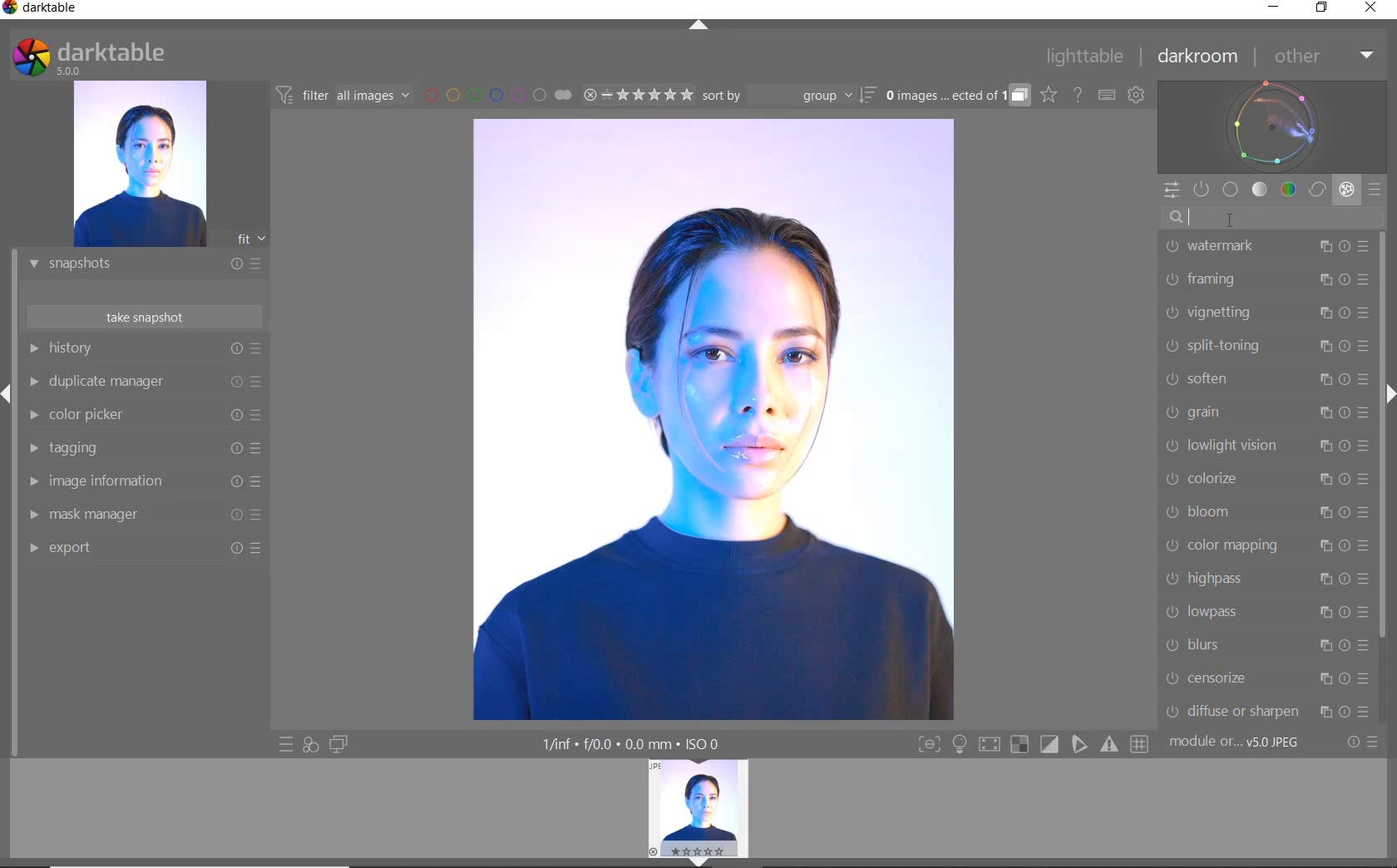 Image resolution: width=1397 pixels, height=868 pixels. Describe the element at coordinates (1346, 189) in the screenshot. I see `EFFECT` at that location.